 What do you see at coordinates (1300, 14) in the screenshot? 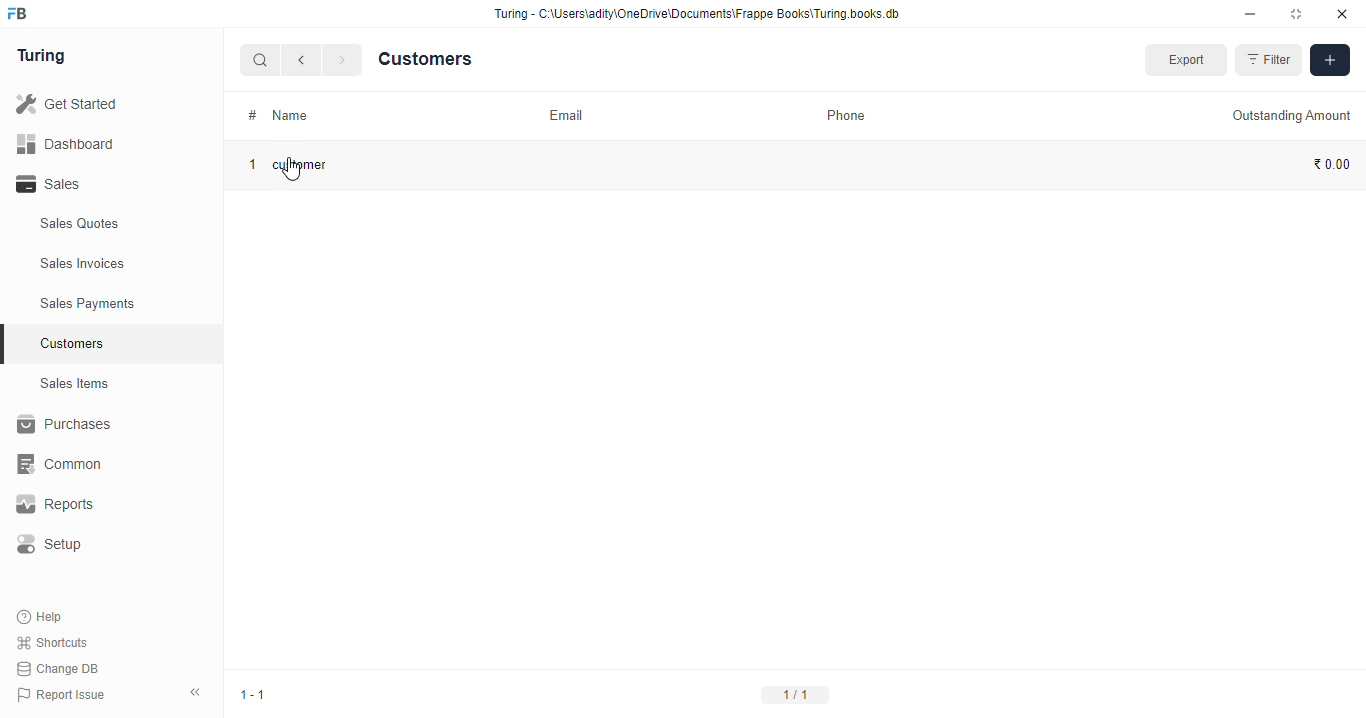
I see `maximise` at bounding box center [1300, 14].